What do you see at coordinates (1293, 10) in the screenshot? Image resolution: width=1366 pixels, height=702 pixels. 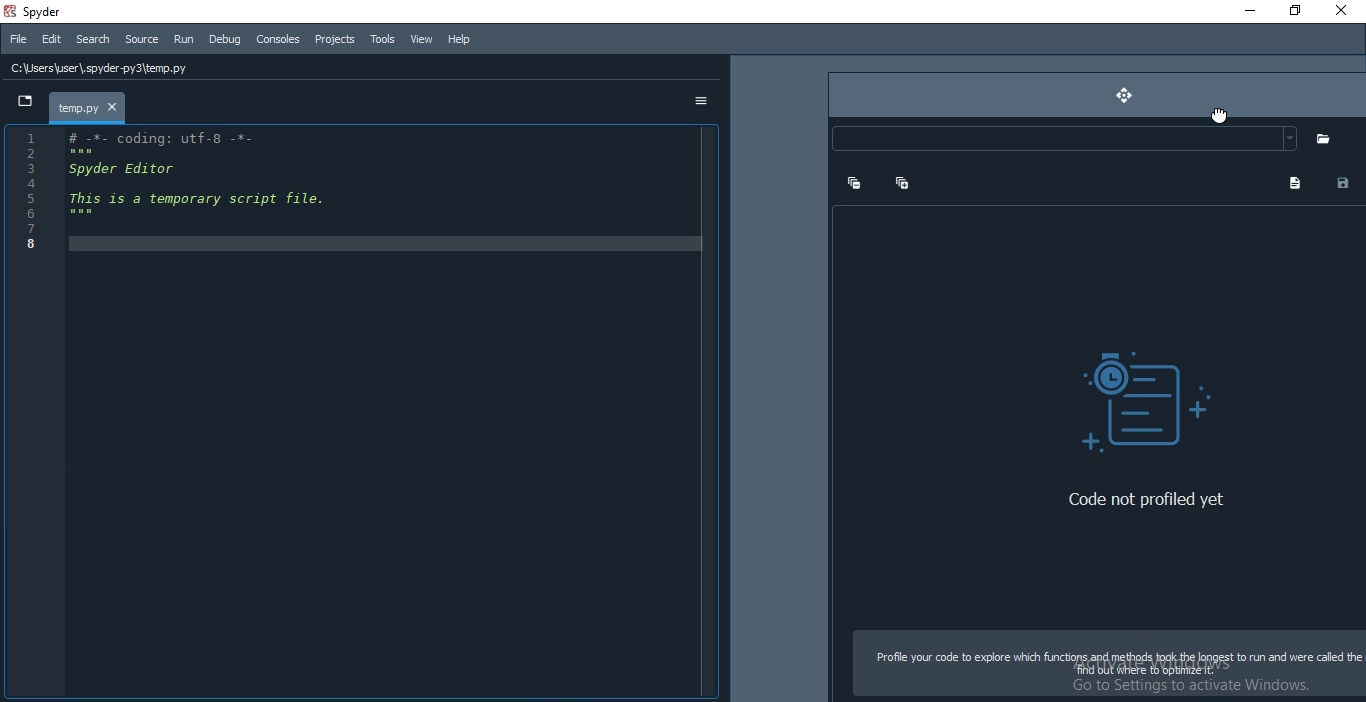 I see `Restore` at bounding box center [1293, 10].